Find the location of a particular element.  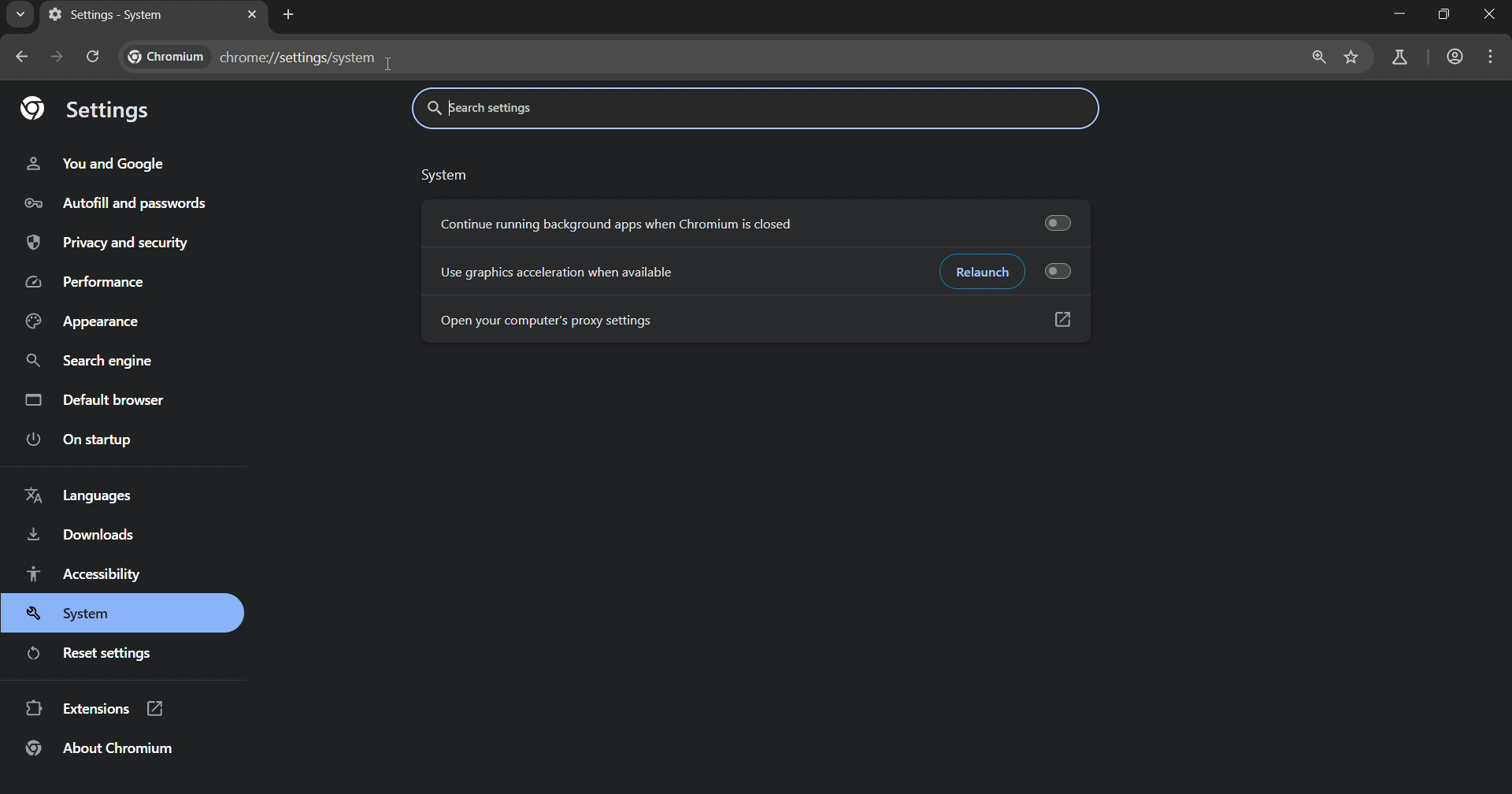

cursor is located at coordinates (393, 65).